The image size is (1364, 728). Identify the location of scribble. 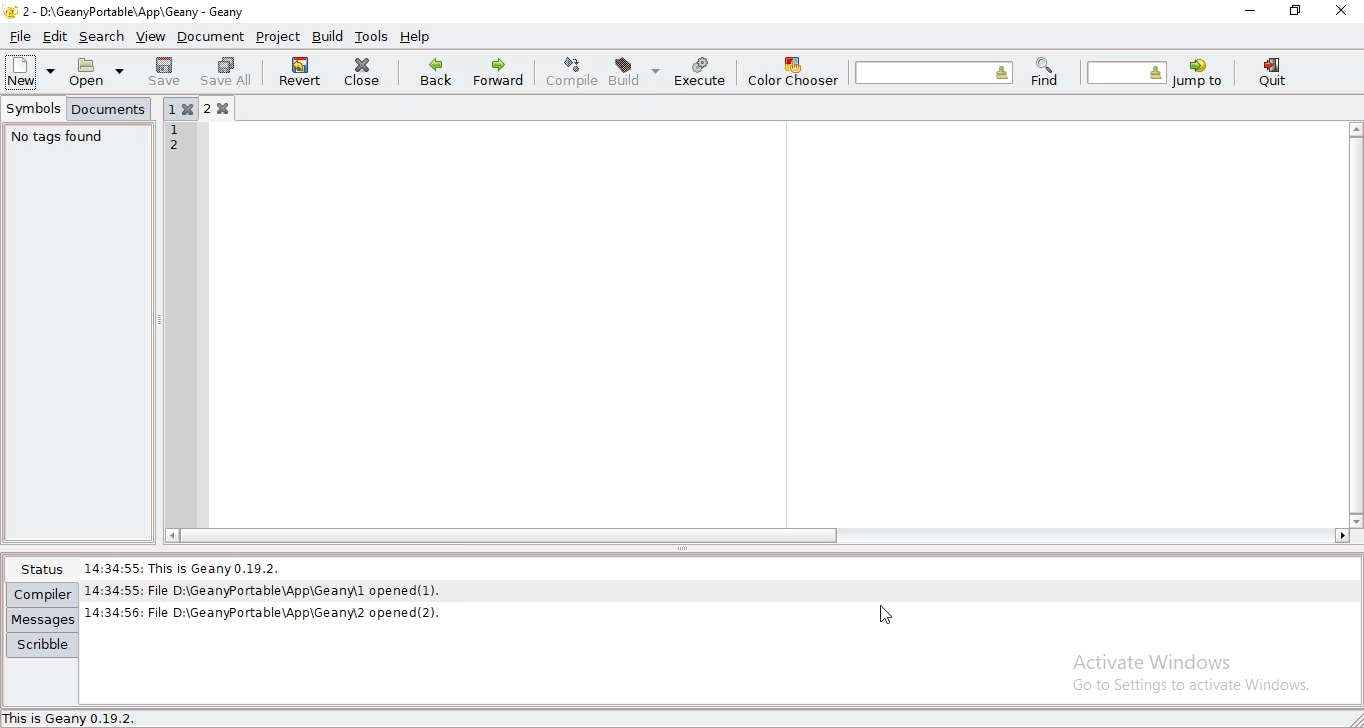
(42, 645).